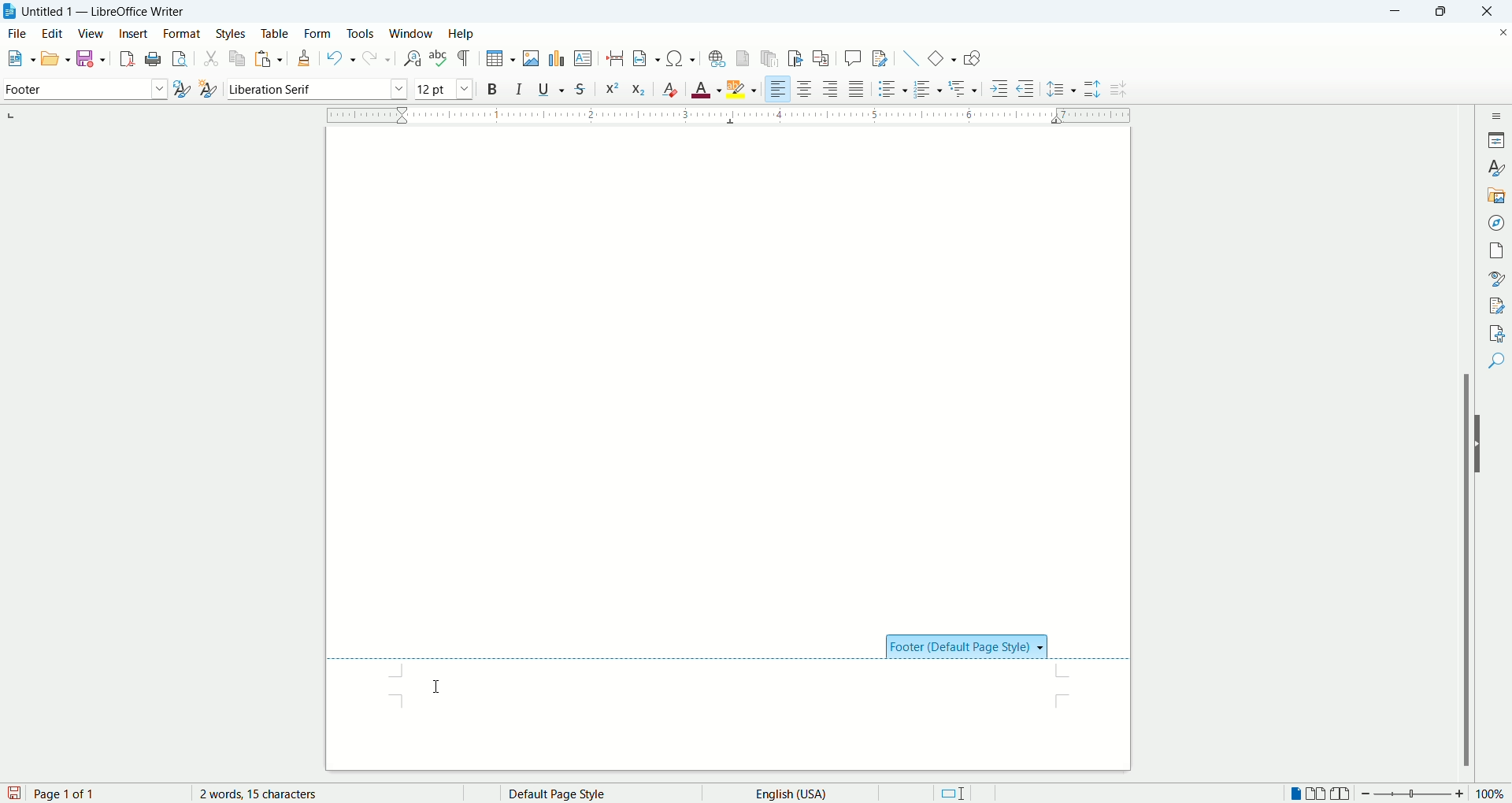 The image size is (1512, 803). I want to click on styles, so click(1498, 168).